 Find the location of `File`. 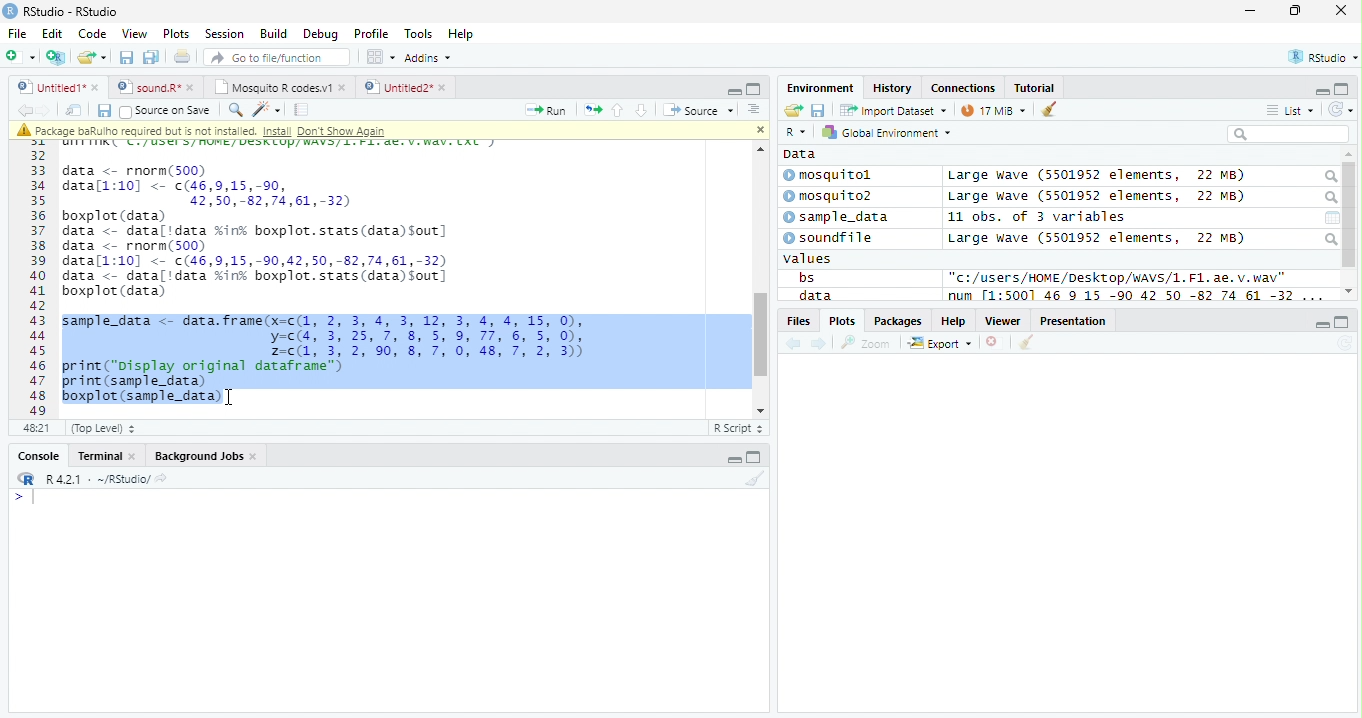

File is located at coordinates (18, 34).